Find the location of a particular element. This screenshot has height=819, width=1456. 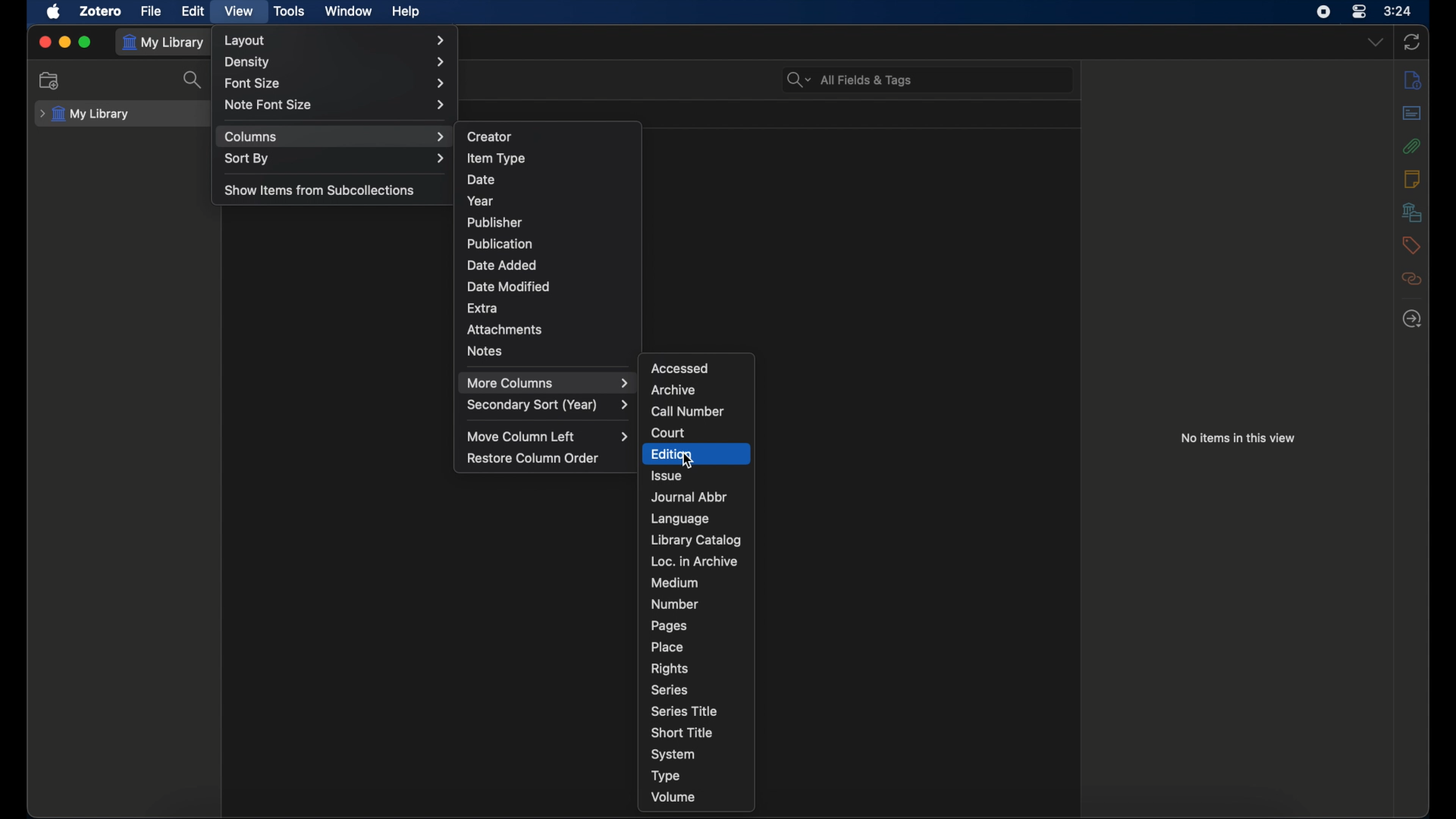

date modified is located at coordinates (510, 287).